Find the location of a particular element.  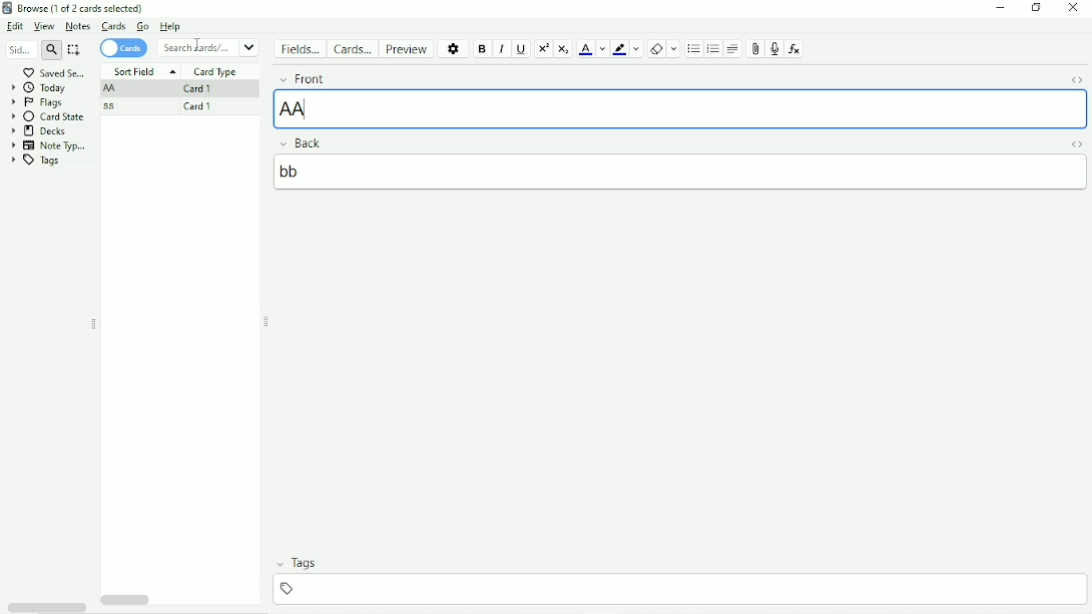

Record audio is located at coordinates (775, 49).